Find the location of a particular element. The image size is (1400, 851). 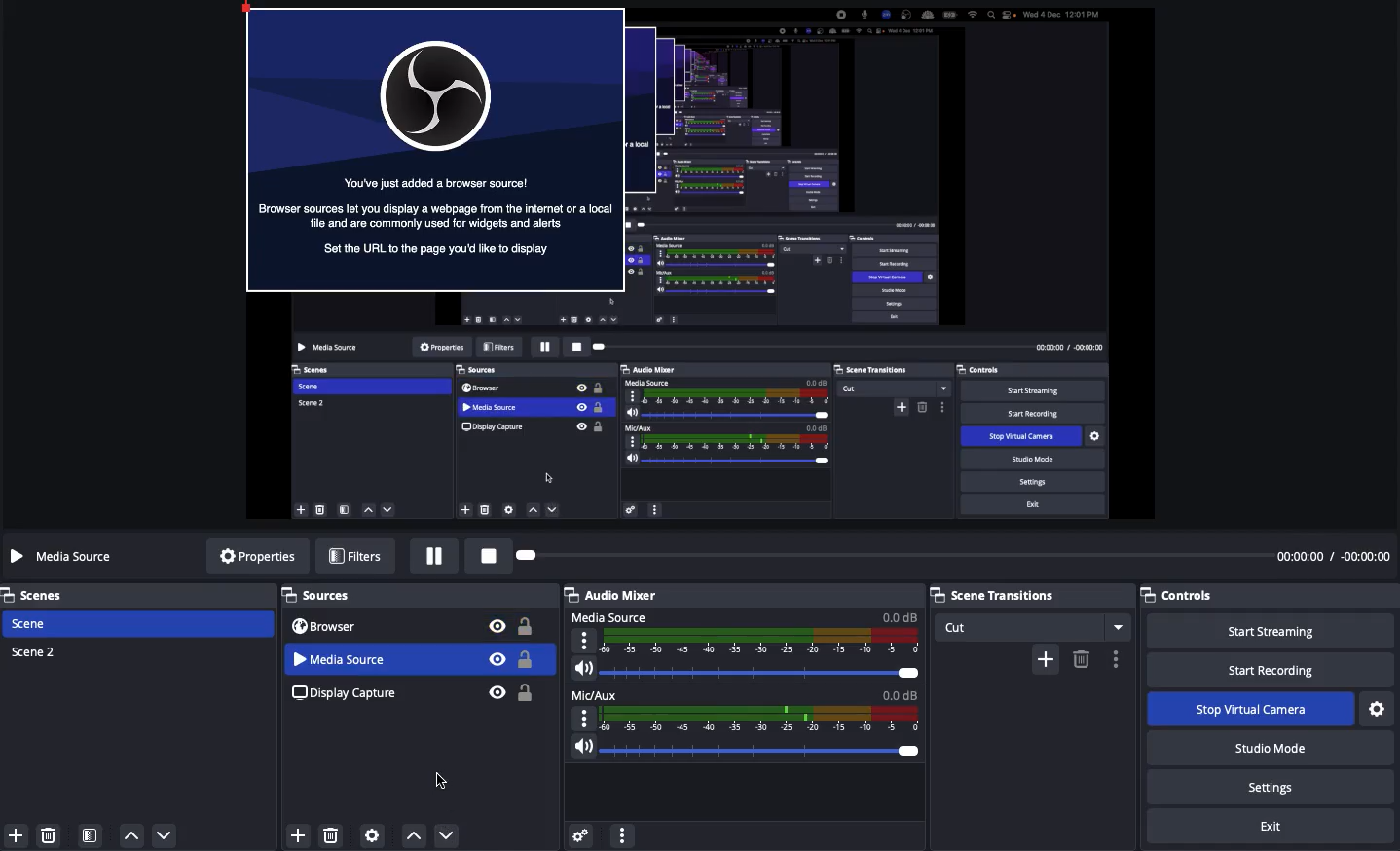

Add is located at coordinates (1046, 660).